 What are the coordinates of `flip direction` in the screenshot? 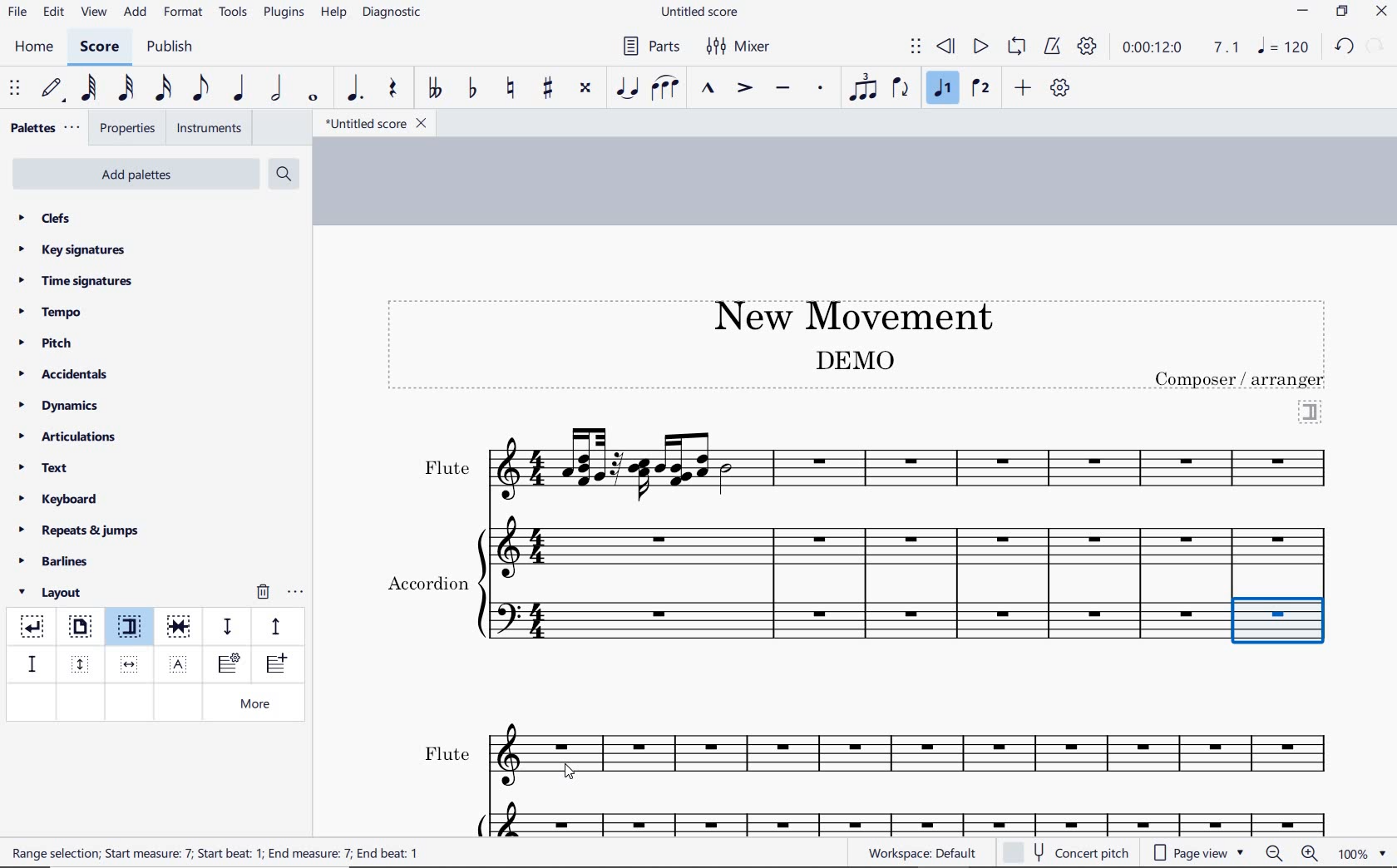 It's located at (901, 86).